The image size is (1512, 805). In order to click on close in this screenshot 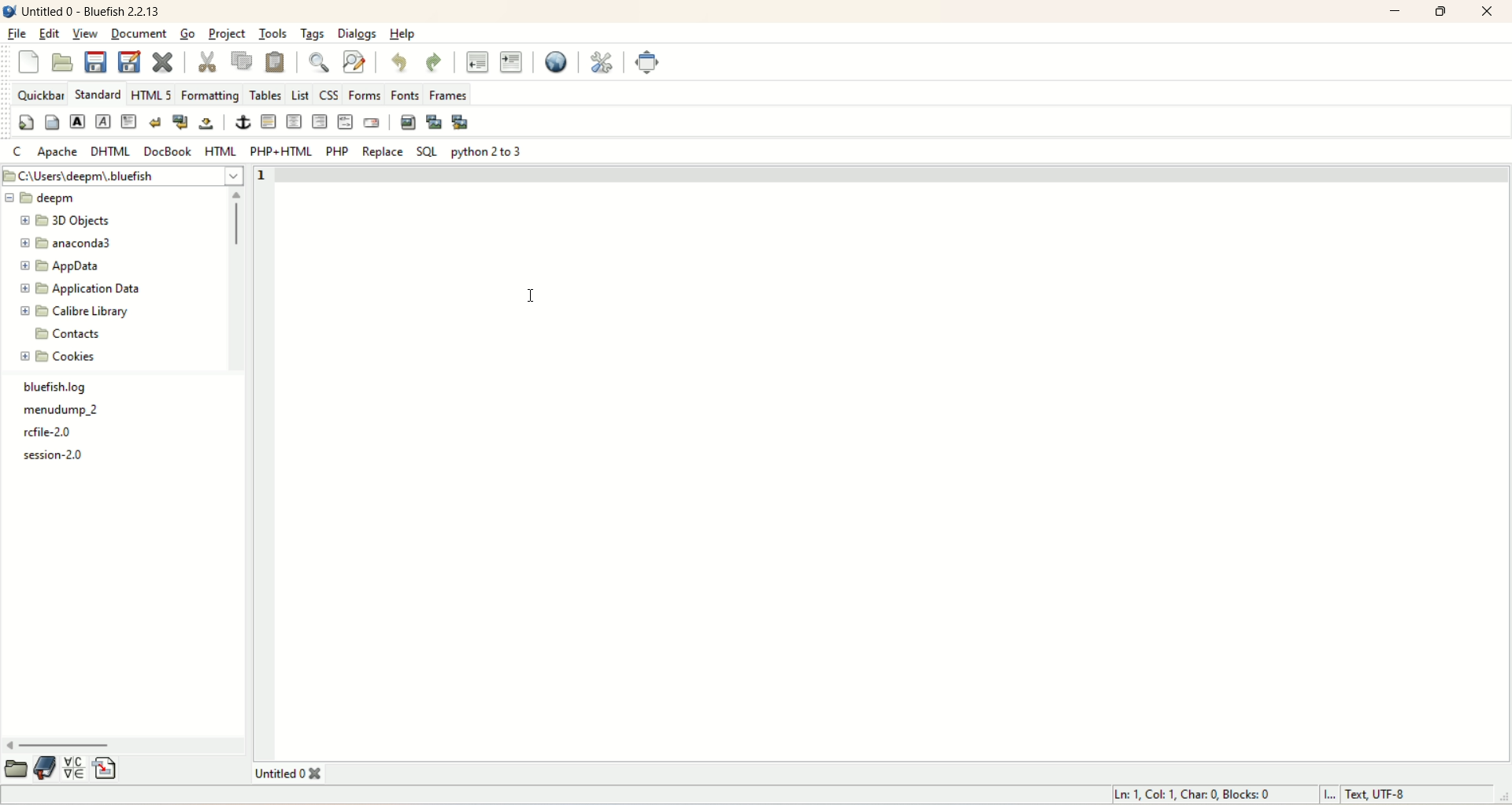, I will do `click(1485, 13)`.